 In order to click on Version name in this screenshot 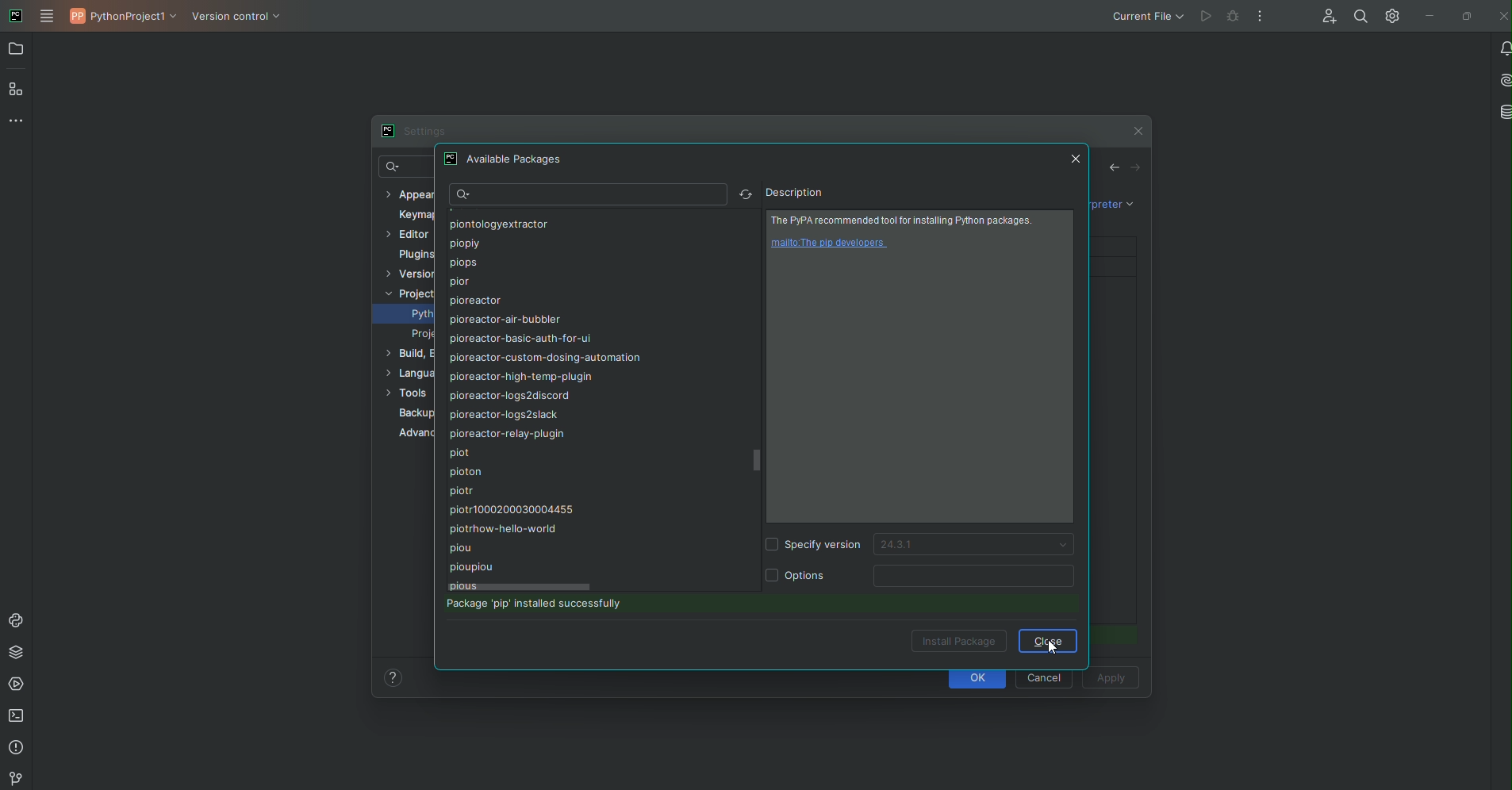, I will do `click(978, 546)`.